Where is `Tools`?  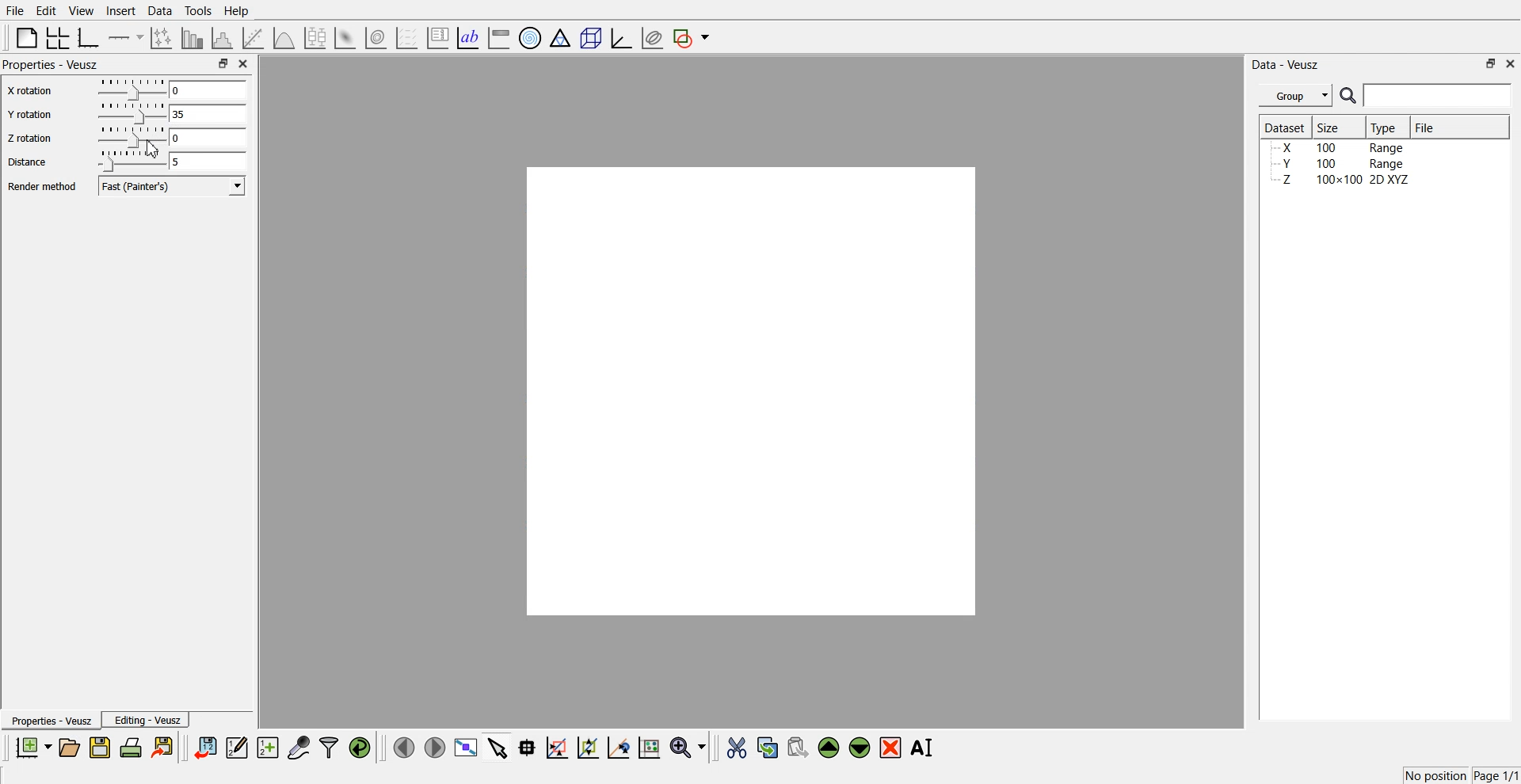
Tools is located at coordinates (199, 11).